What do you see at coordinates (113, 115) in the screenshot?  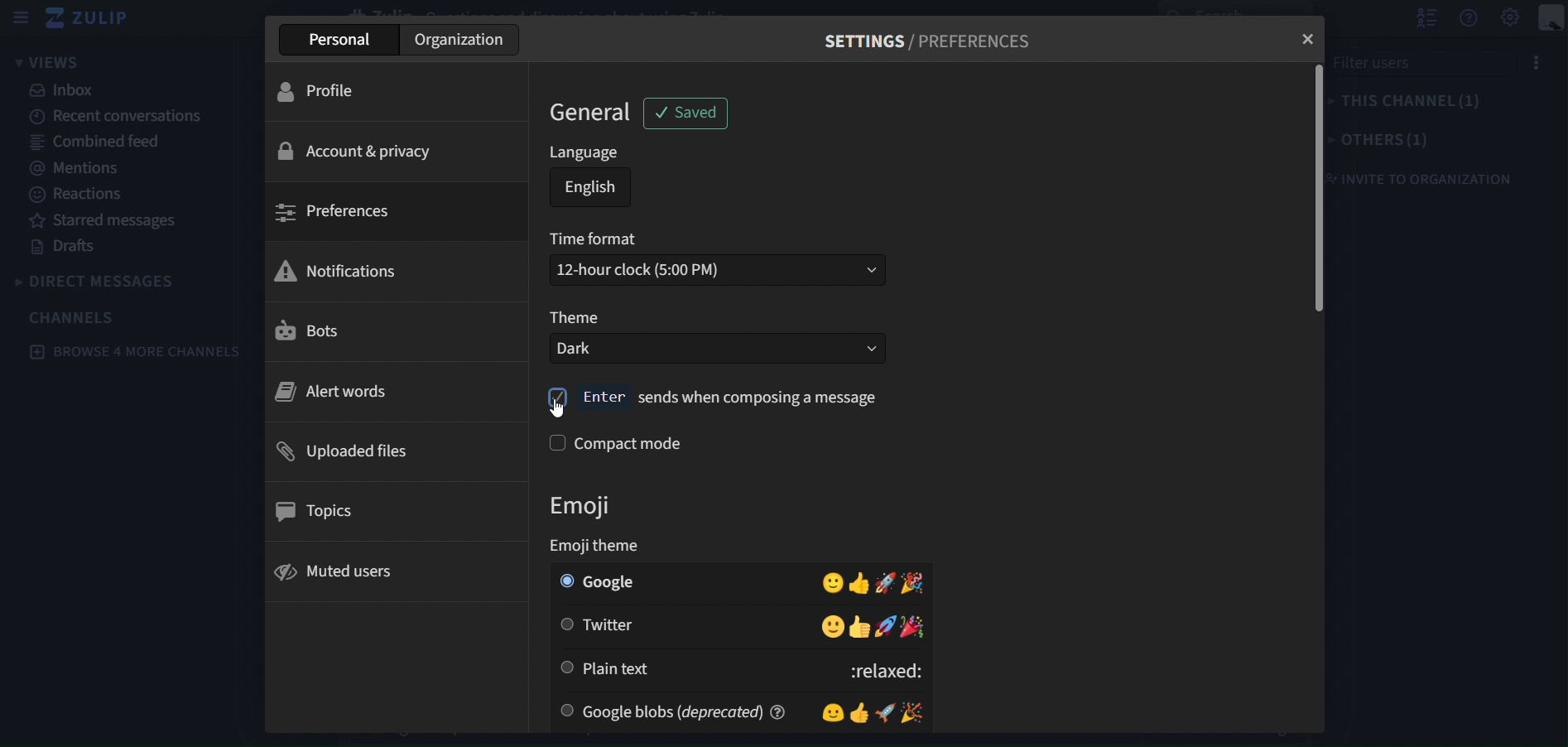 I see `recent conversations` at bounding box center [113, 115].